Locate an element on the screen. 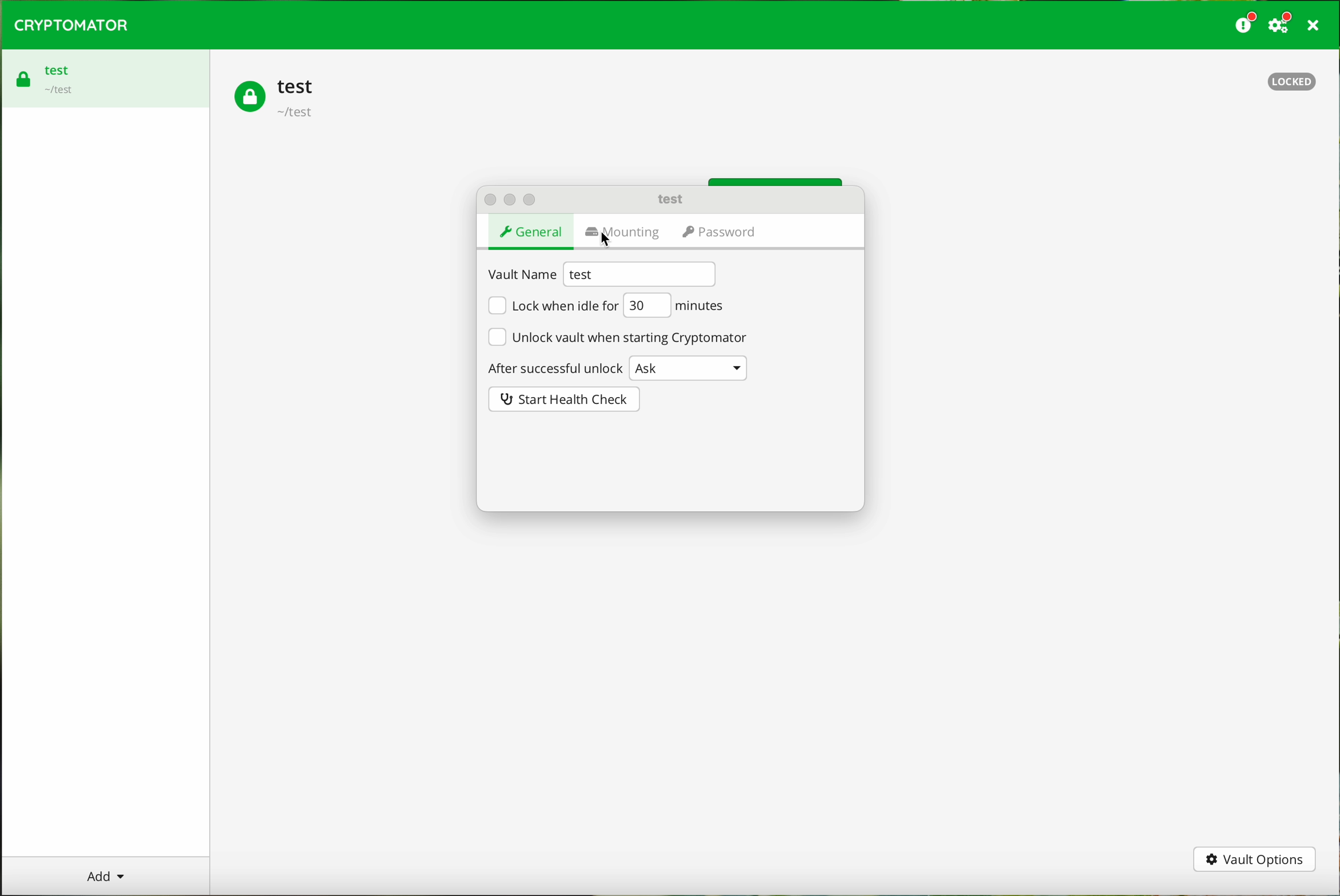  password is located at coordinates (716, 232).